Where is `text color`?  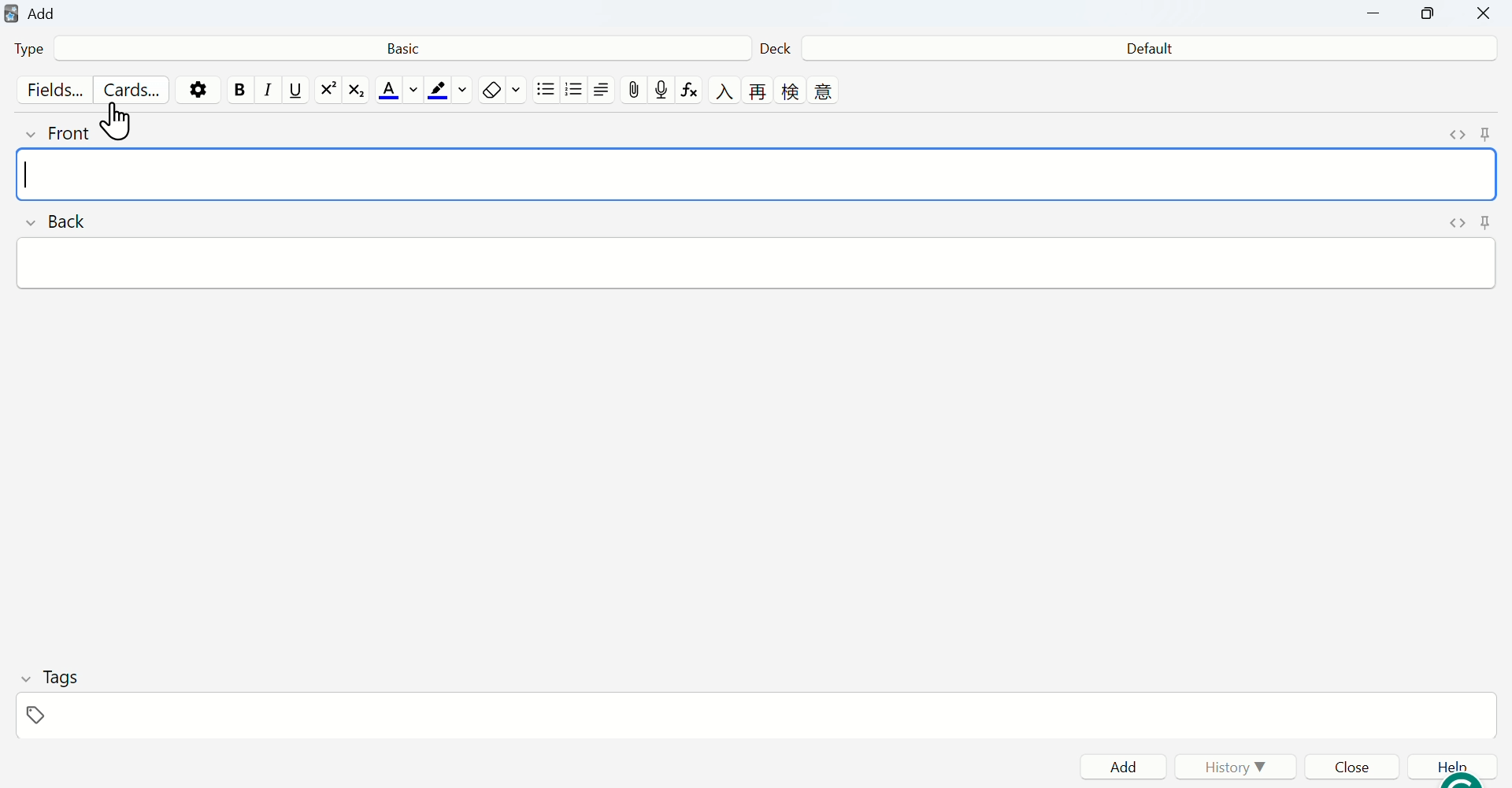 text color is located at coordinates (389, 90).